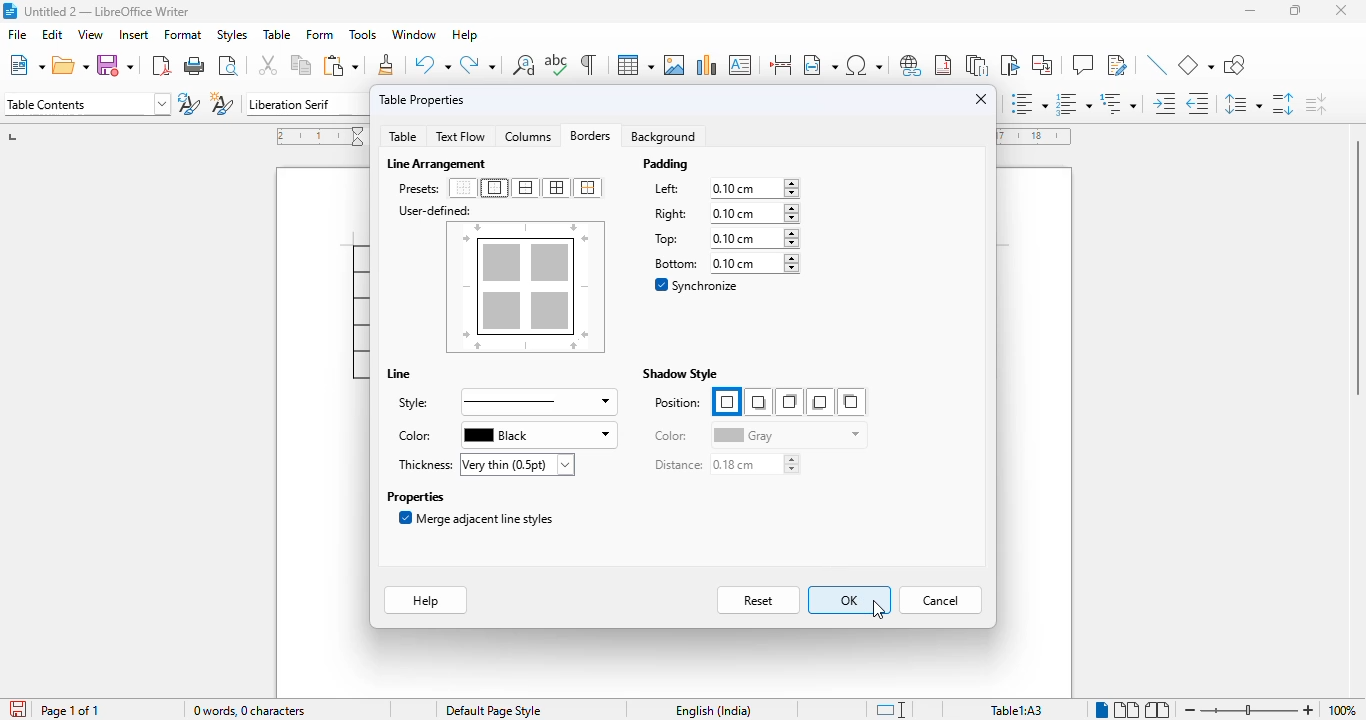 The image size is (1366, 720). Describe the element at coordinates (161, 66) in the screenshot. I see `export directly as PDF` at that location.